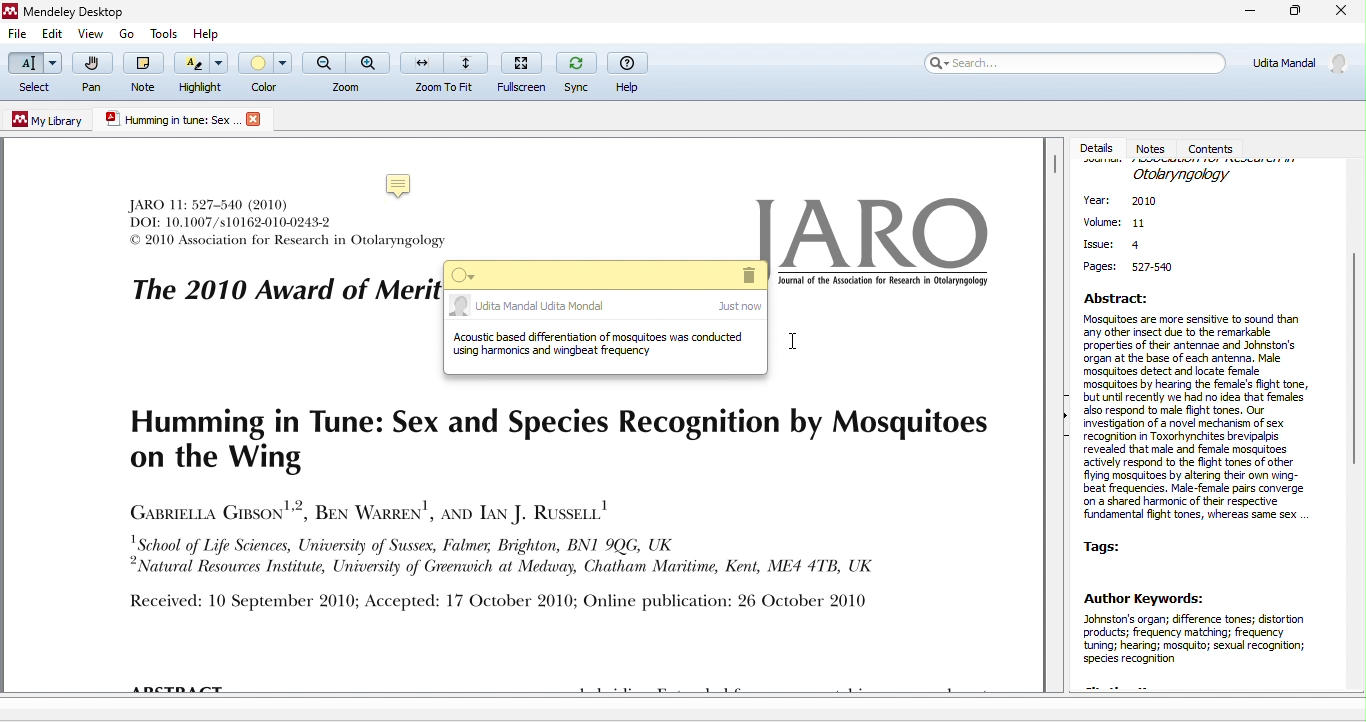  What do you see at coordinates (208, 34) in the screenshot?
I see `help` at bounding box center [208, 34].